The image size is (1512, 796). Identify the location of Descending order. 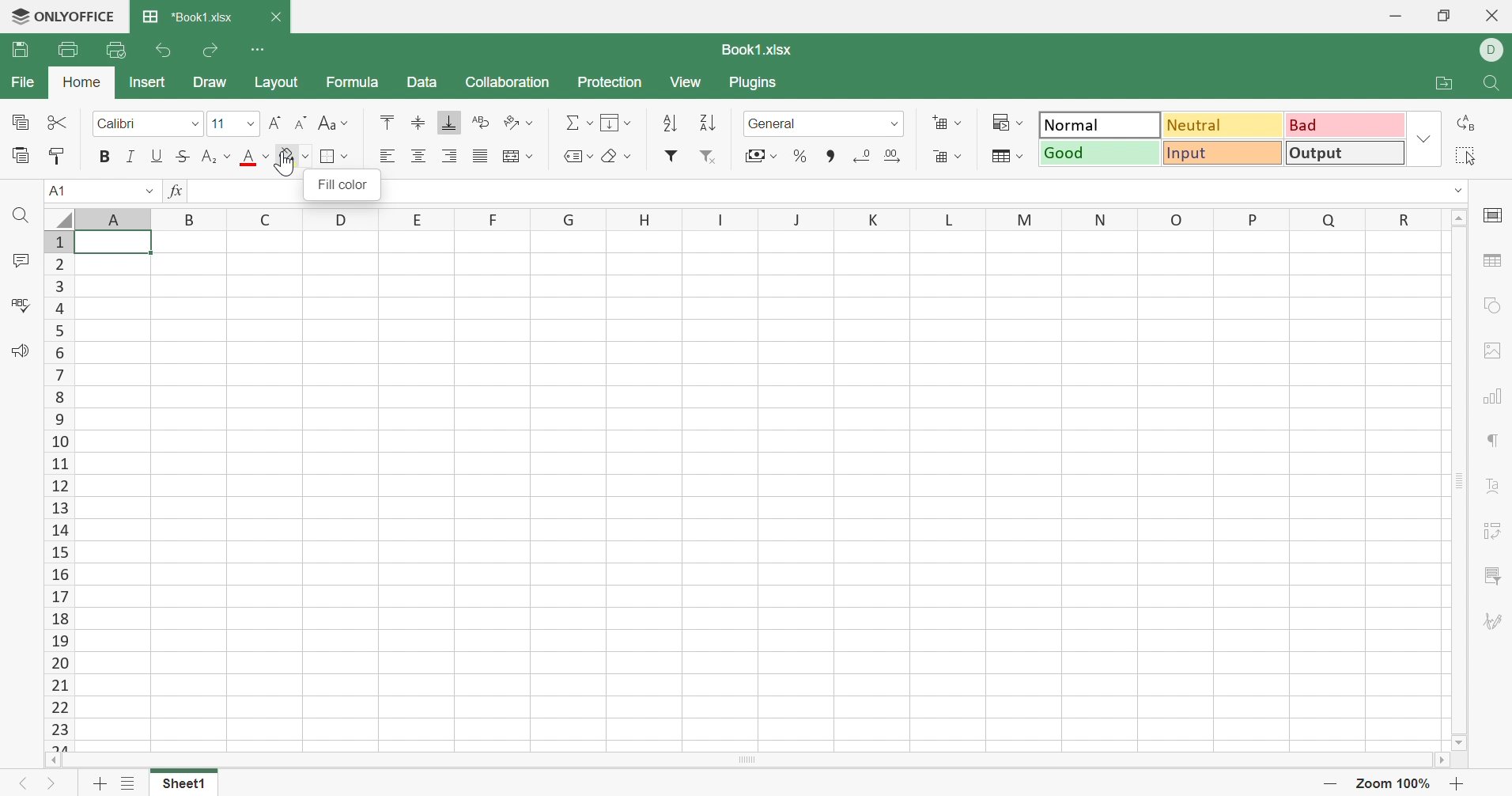
(707, 119).